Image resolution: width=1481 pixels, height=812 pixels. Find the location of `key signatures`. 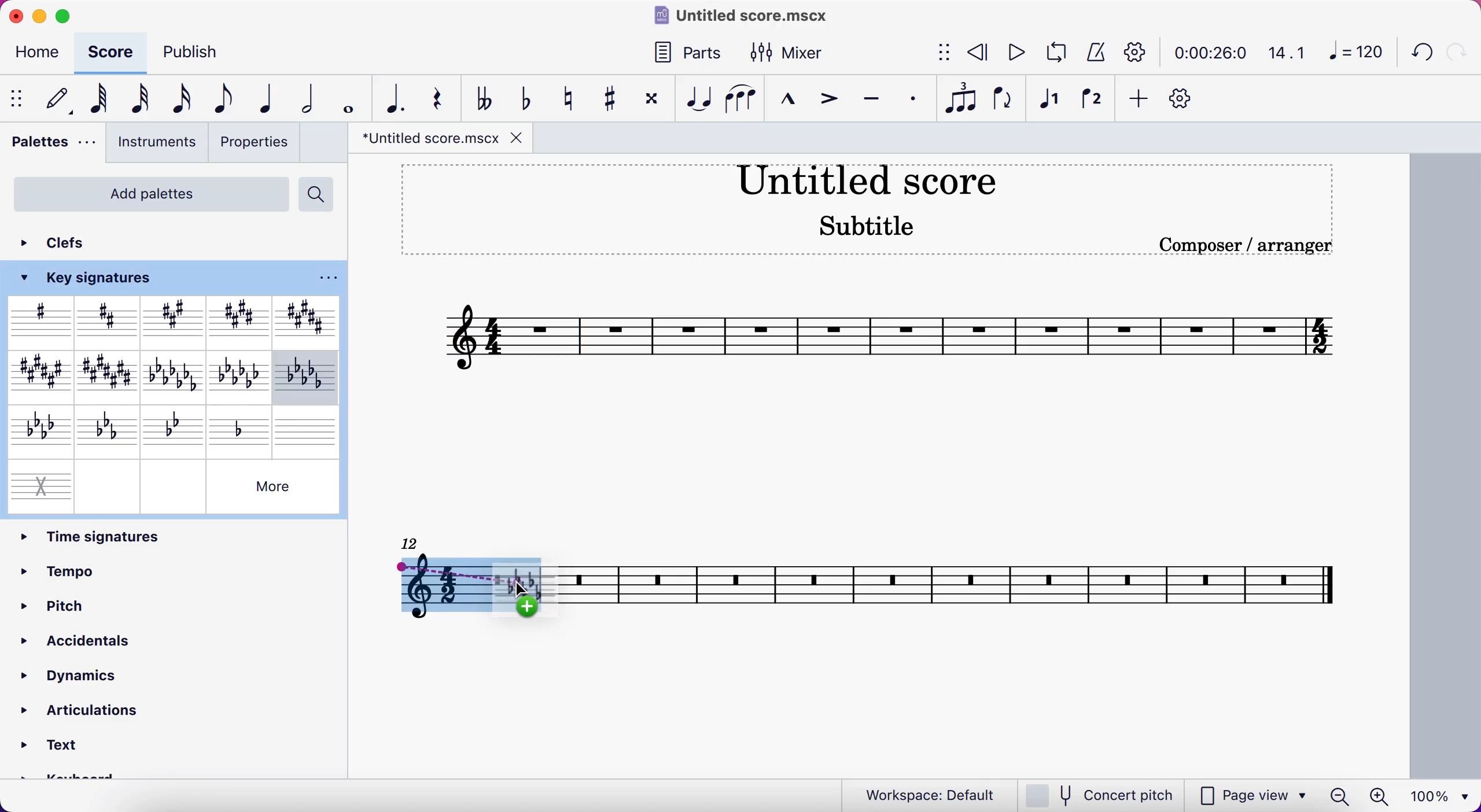

key signatures is located at coordinates (475, 585).